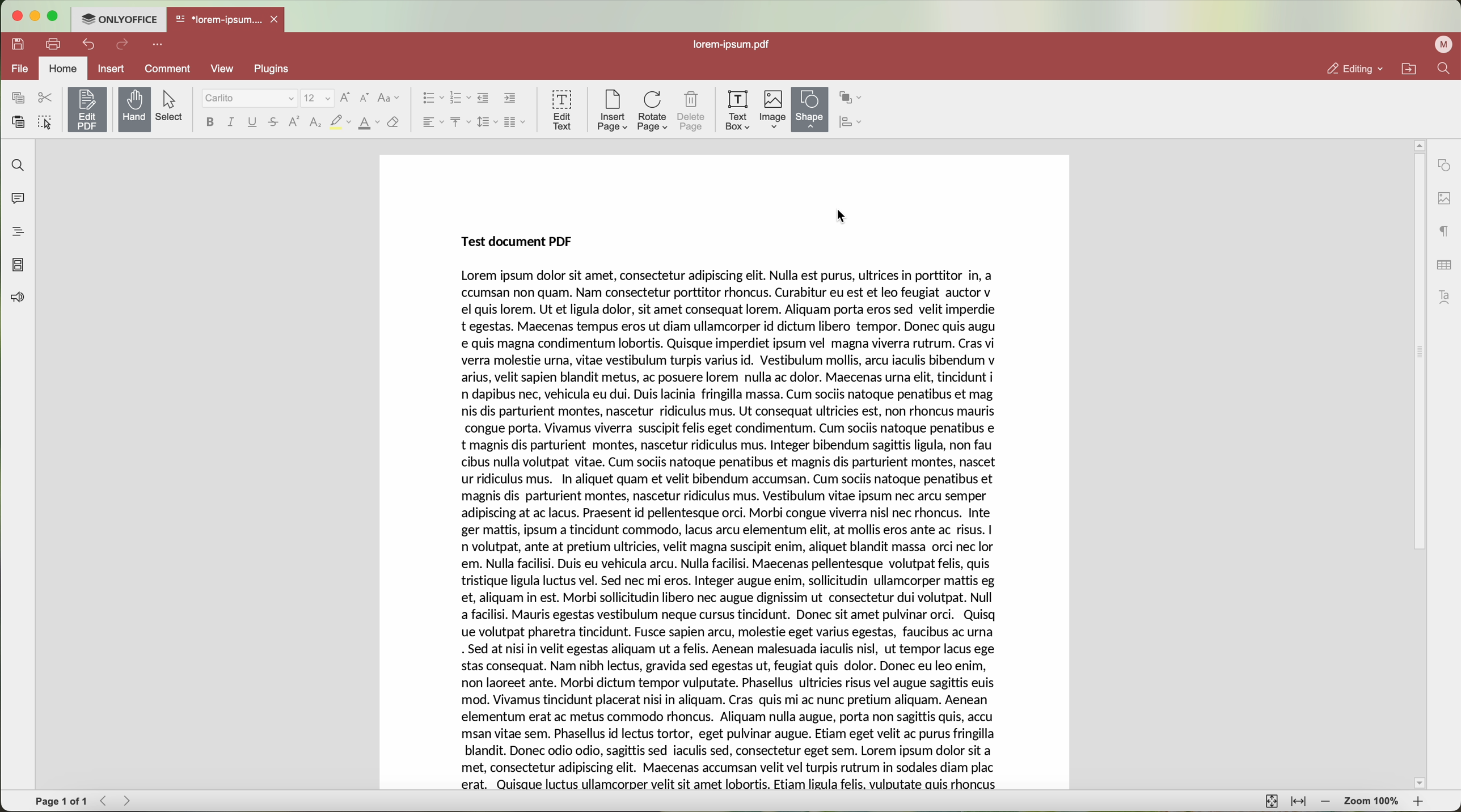  What do you see at coordinates (174, 106) in the screenshot?
I see `select` at bounding box center [174, 106].